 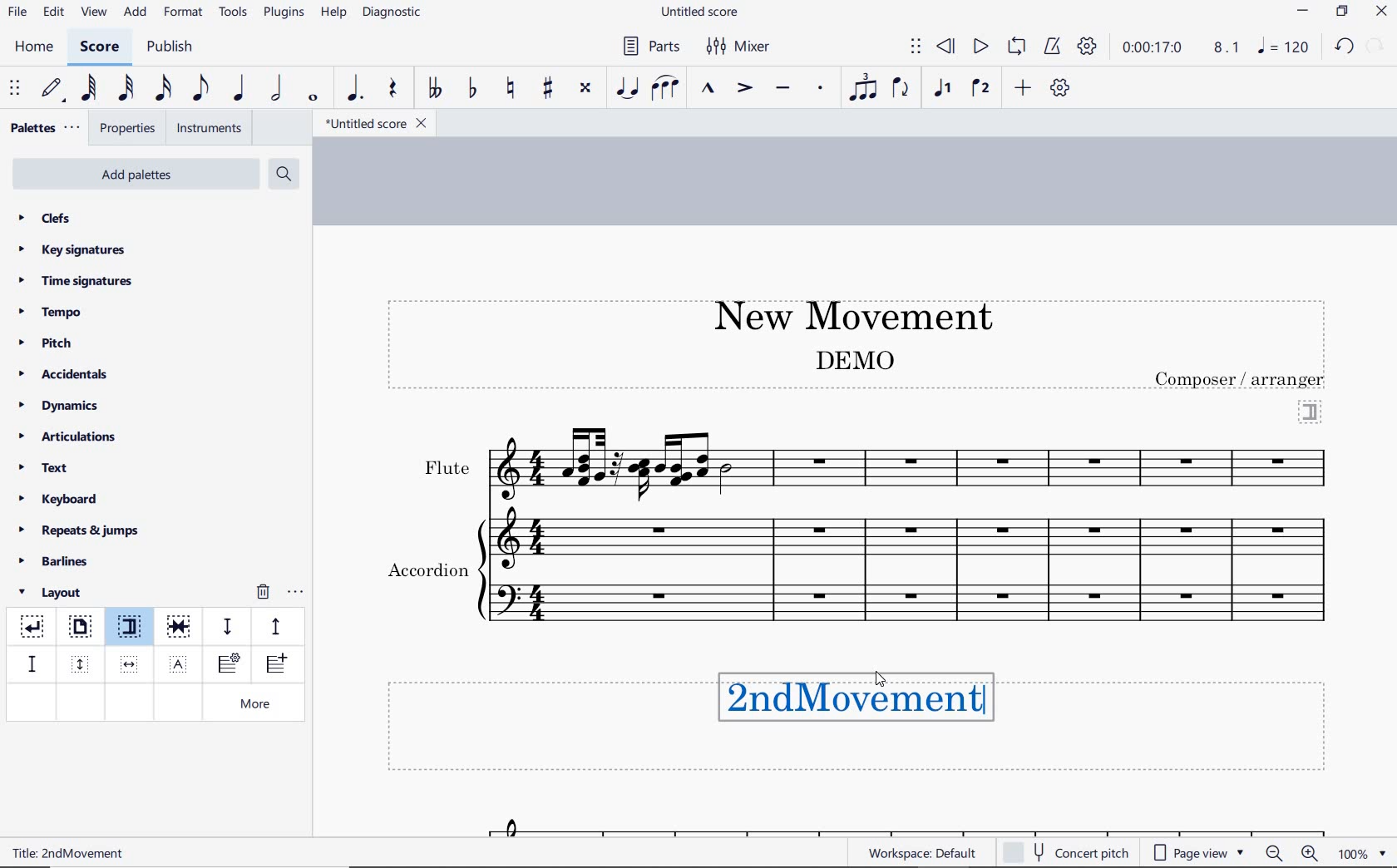 What do you see at coordinates (180, 663) in the screenshot?
I see `insert text frame` at bounding box center [180, 663].